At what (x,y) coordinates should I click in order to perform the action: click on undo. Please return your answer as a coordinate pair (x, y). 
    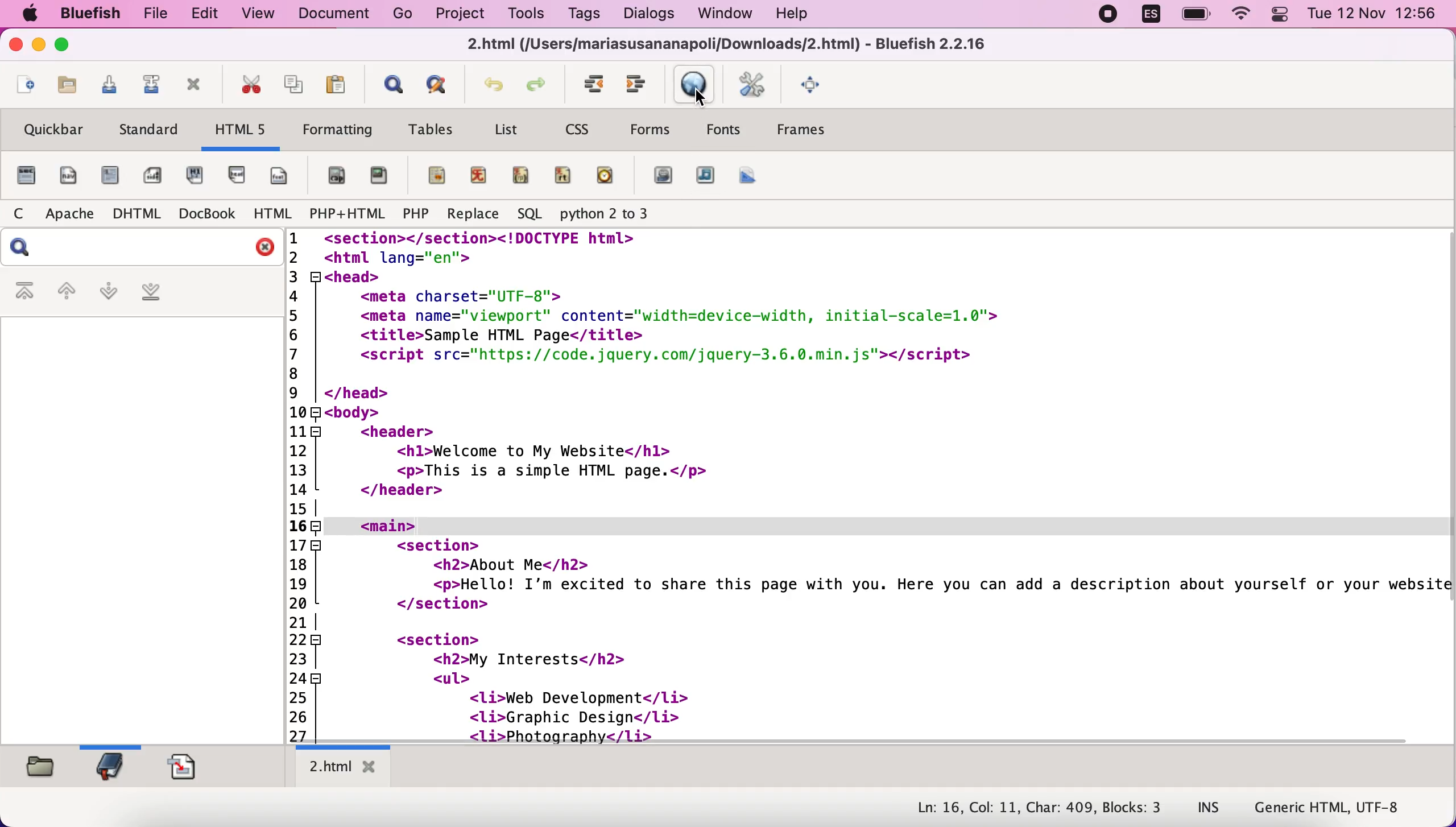
    Looking at the image, I should click on (490, 86).